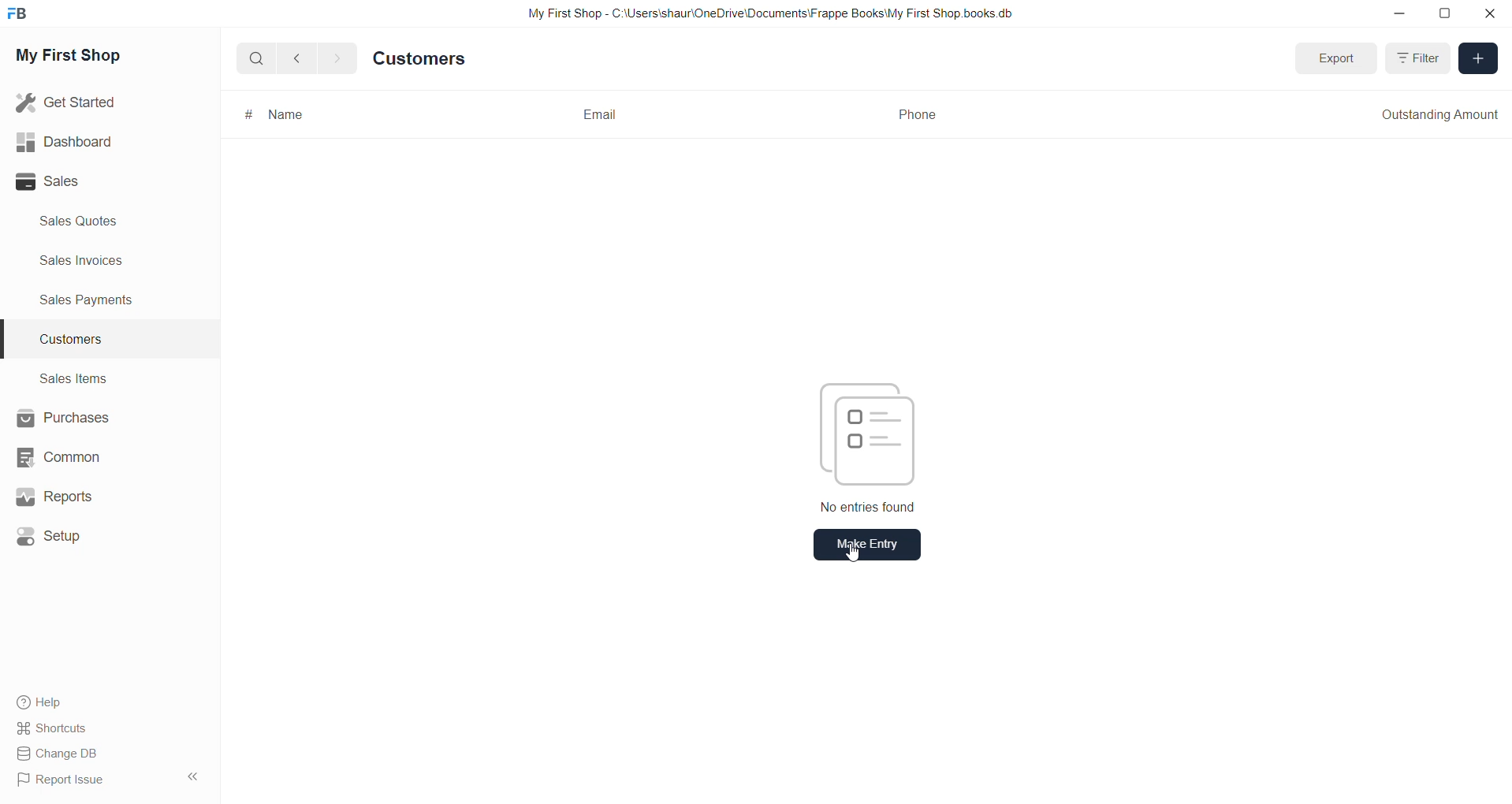 The height and width of the screenshot is (804, 1512). What do you see at coordinates (1478, 58) in the screenshot?
I see `Add` at bounding box center [1478, 58].